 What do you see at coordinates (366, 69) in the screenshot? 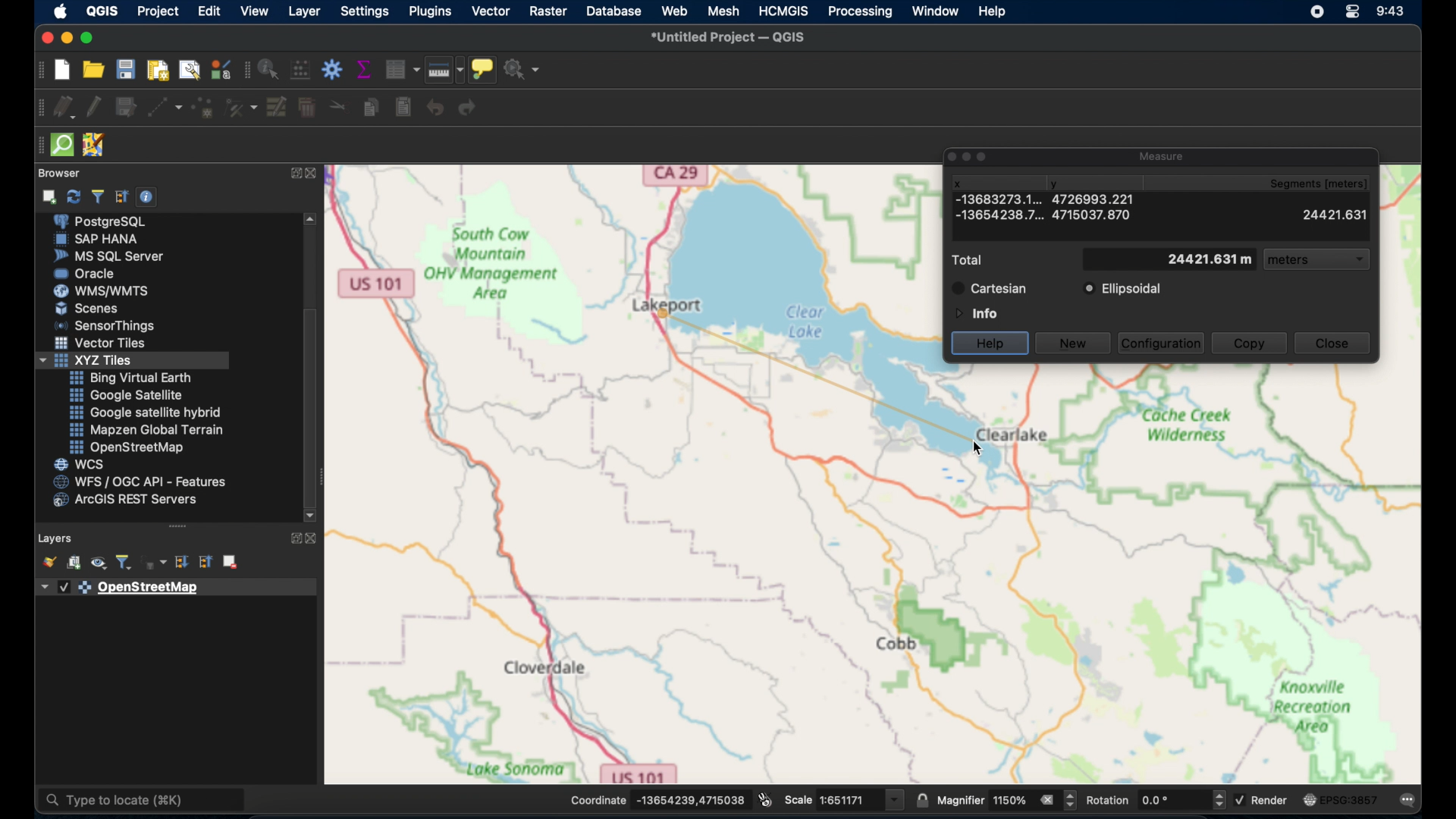
I see `show statistical summary` at bounding box center [366, 69].